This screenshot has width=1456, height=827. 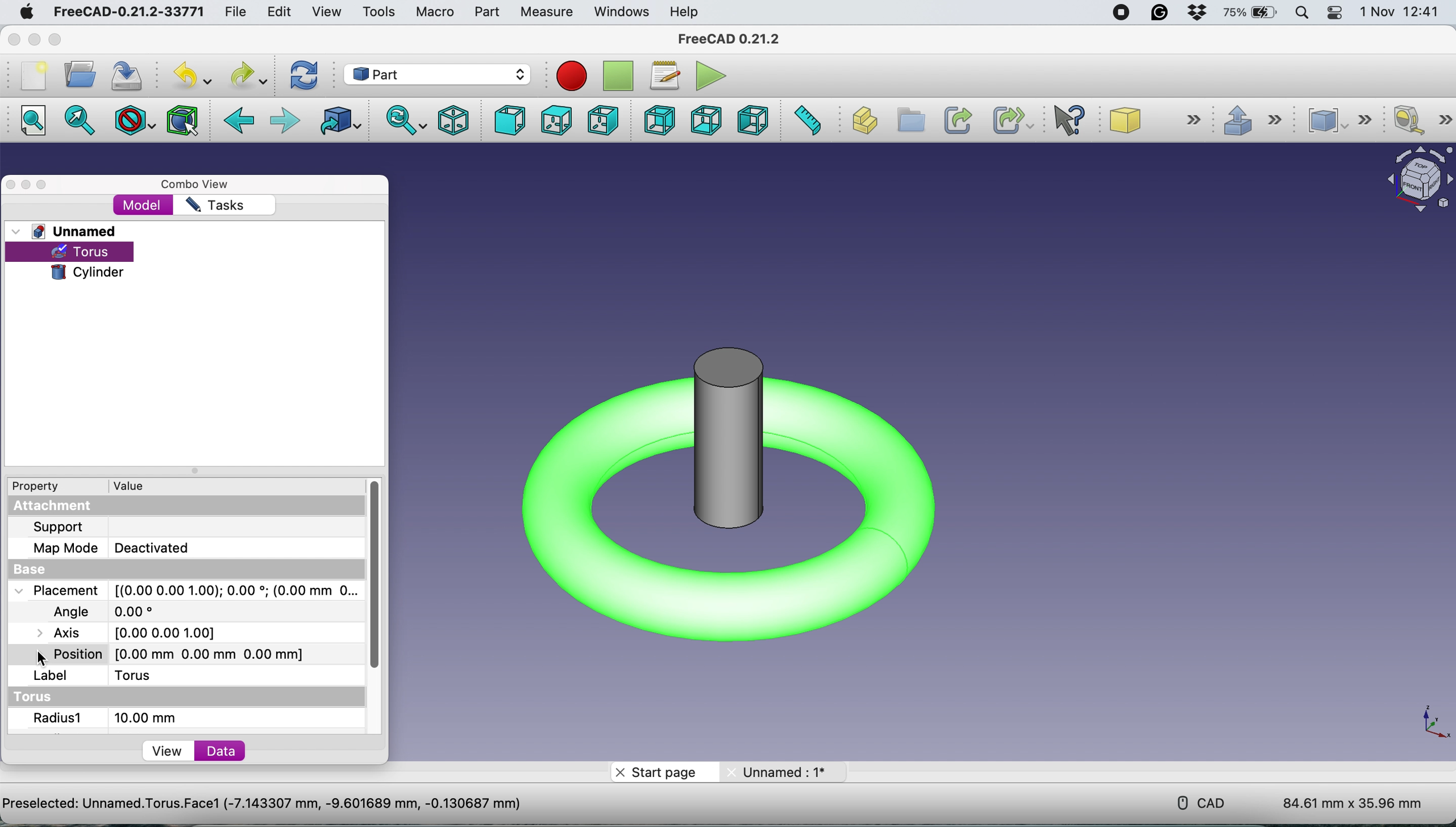 What do you see at coordinates (116, 548) in the screenshot?
I see `map mode` at bounding box center [116, 548].